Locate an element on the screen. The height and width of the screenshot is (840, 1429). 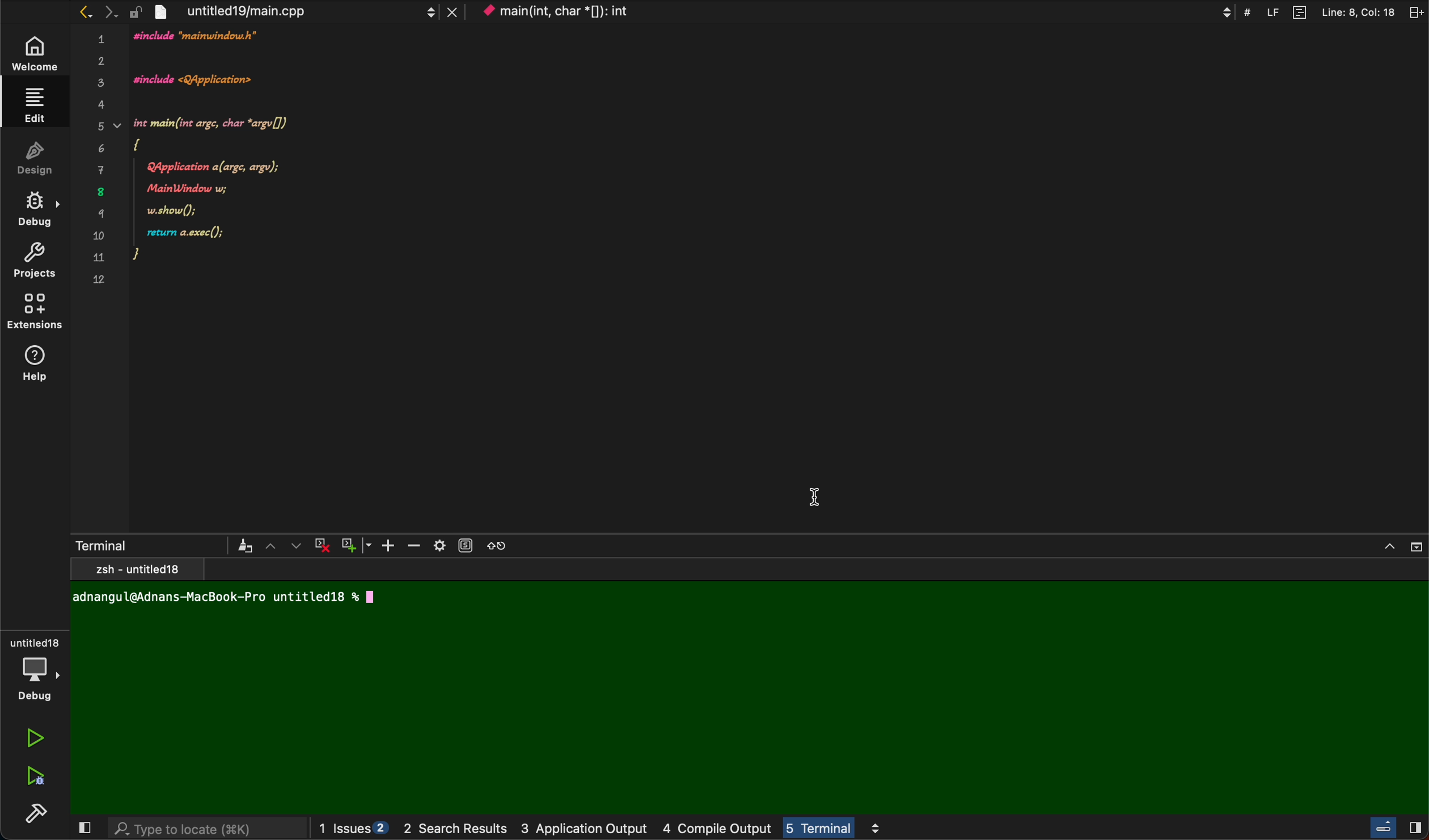
projects is located at coordinates (34, 263).